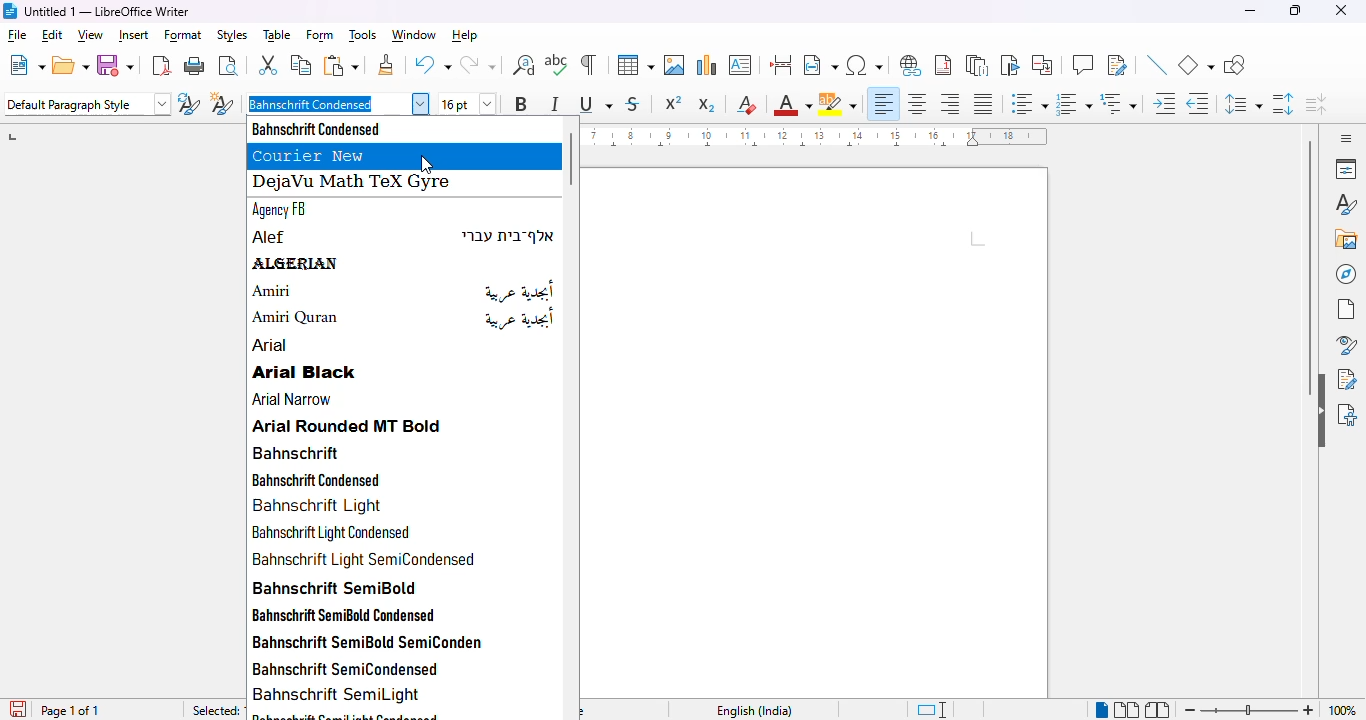 The image size is (1366, 720). Describe the element at coordinates (403, 237) in the screenshot. I see `alef` at that location.